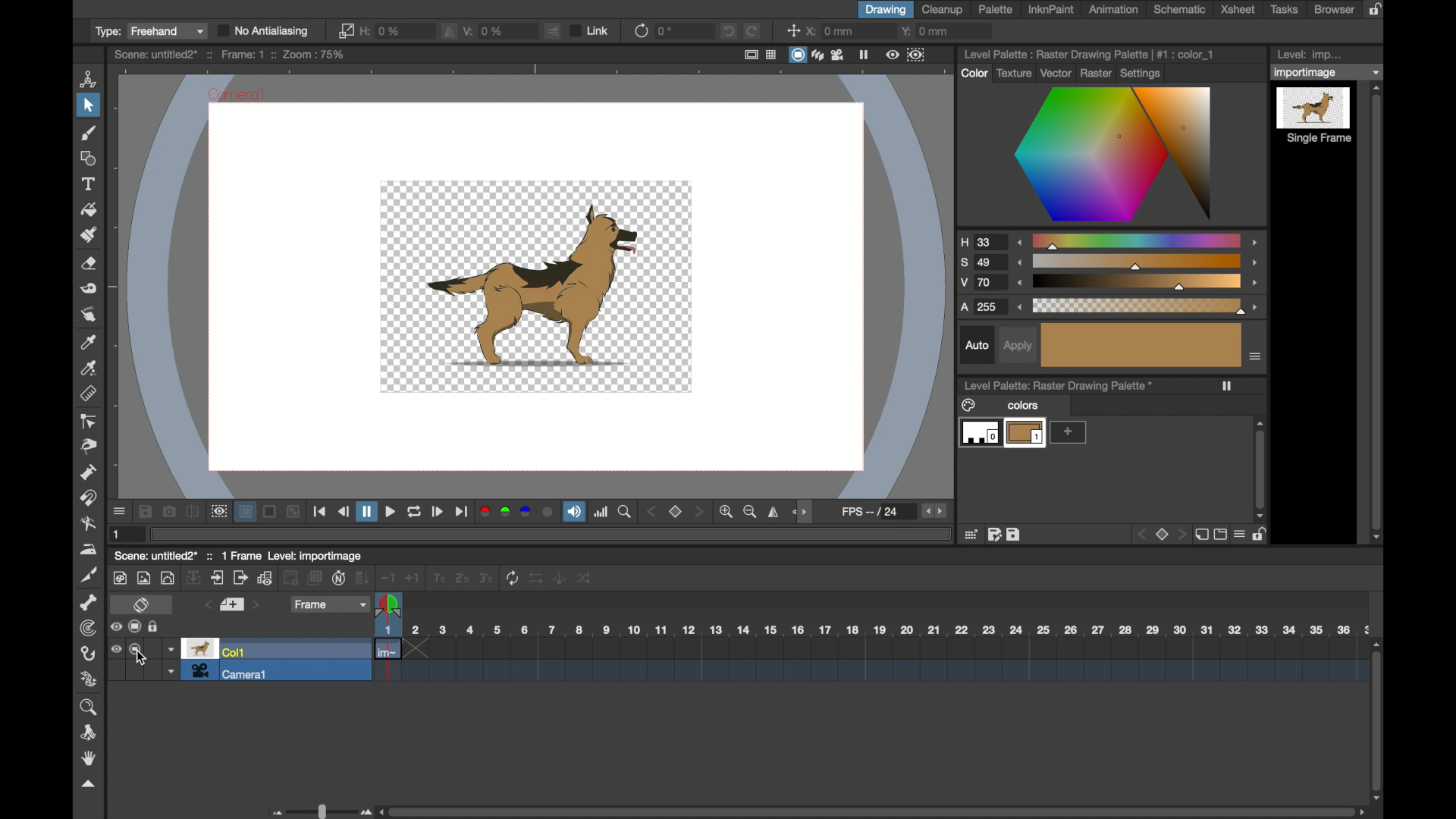 The width and height of the screenshot is (1456, 819). Describe the element at coordinates (554, 31) in the screenshot. I see `flip vertically` at that location.